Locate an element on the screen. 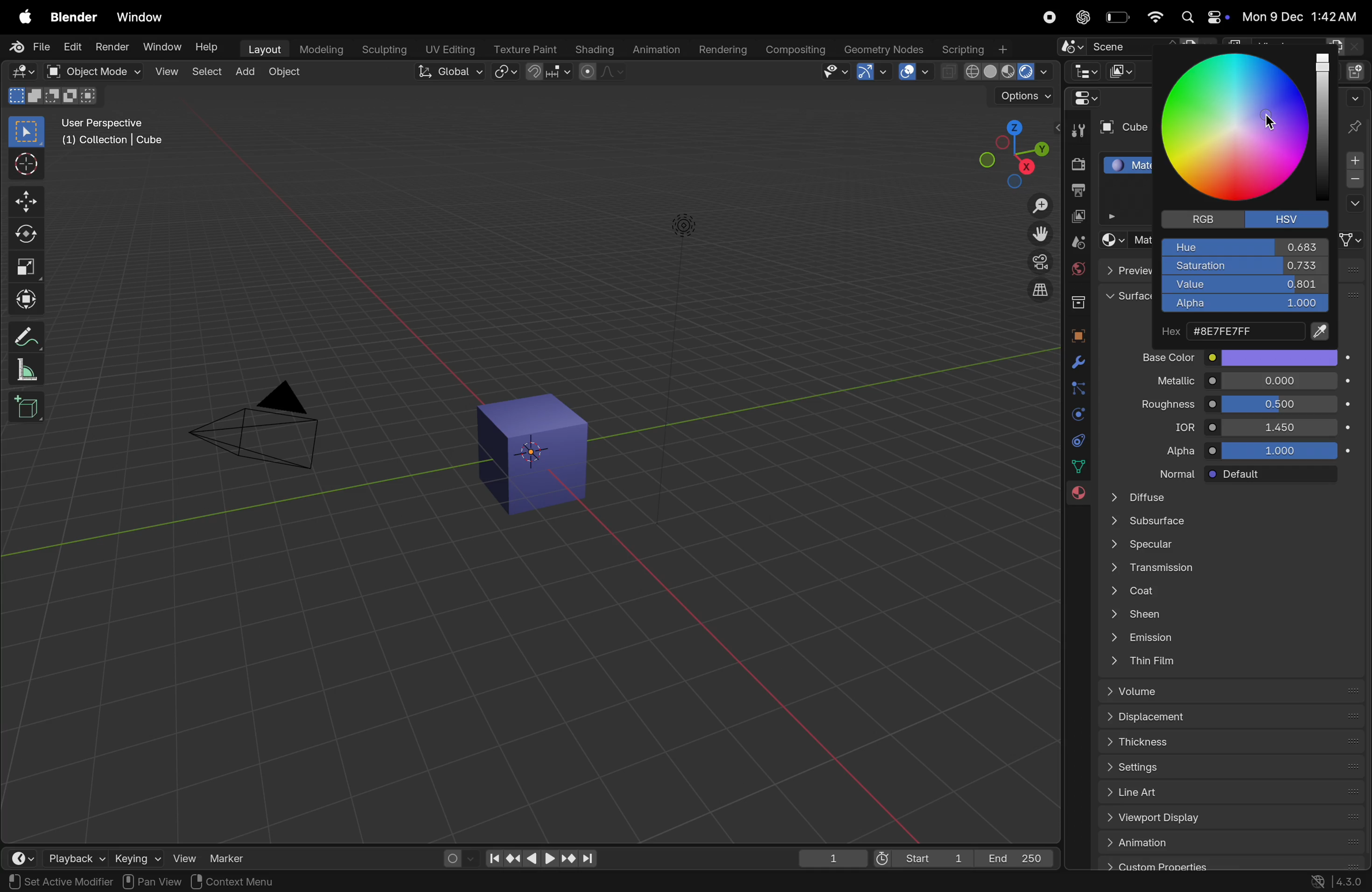 This screenshot has height=892, width=1372. Alpha is located at coordinates (1243, 305).